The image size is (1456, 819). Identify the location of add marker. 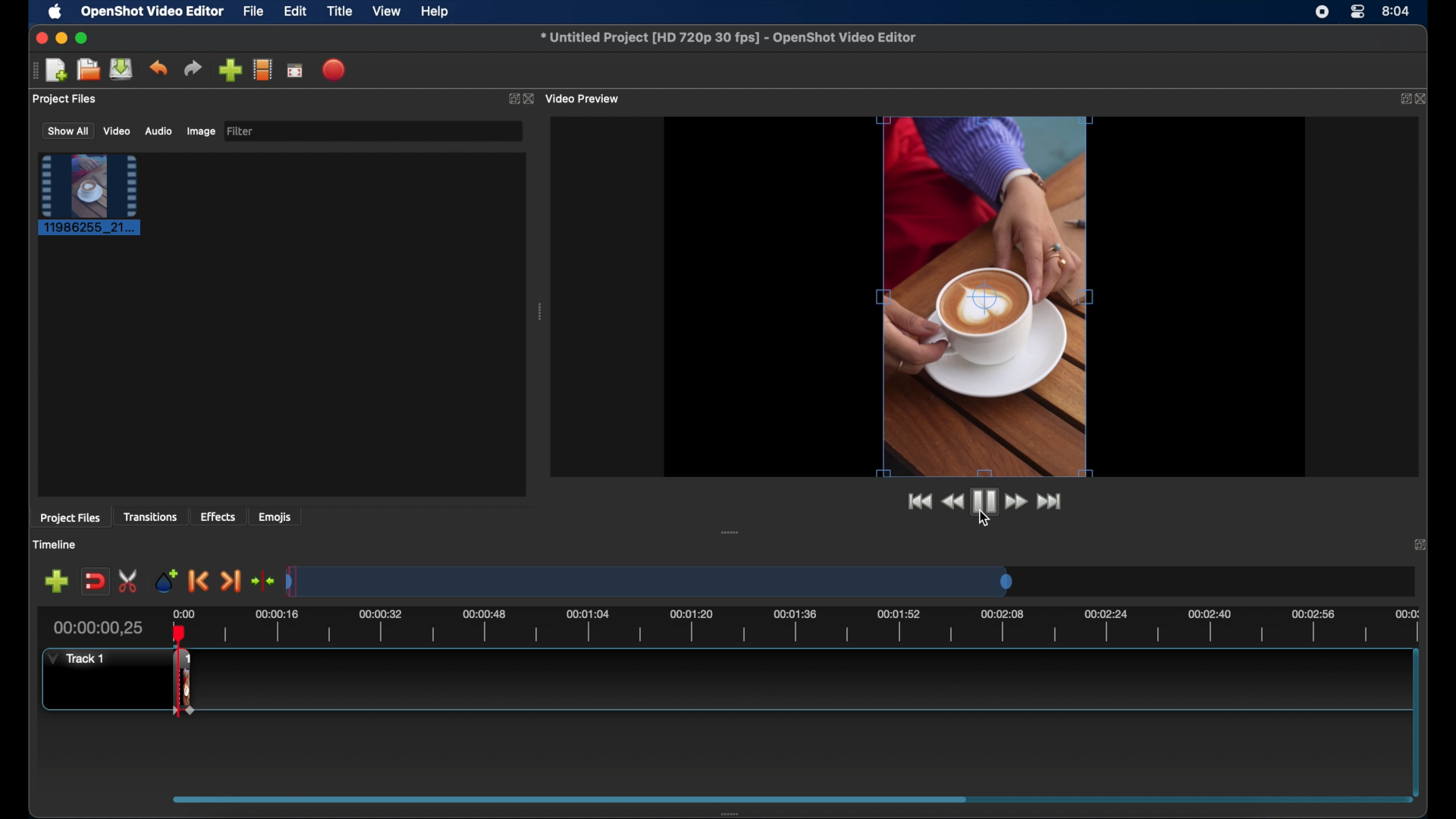
(167, 581).